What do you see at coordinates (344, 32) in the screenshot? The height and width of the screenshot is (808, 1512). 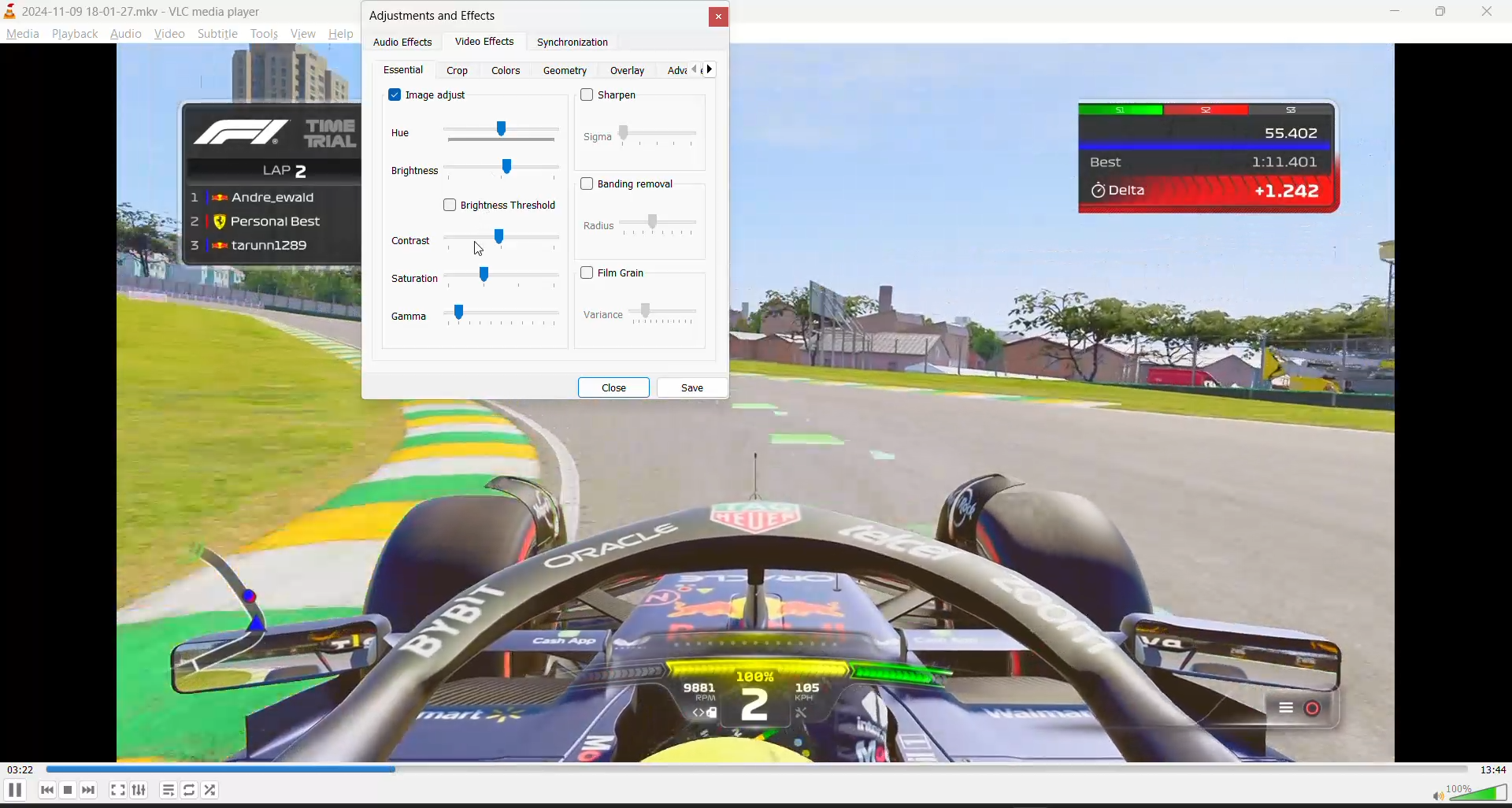 I see `help` at bounding box center [344, 32].